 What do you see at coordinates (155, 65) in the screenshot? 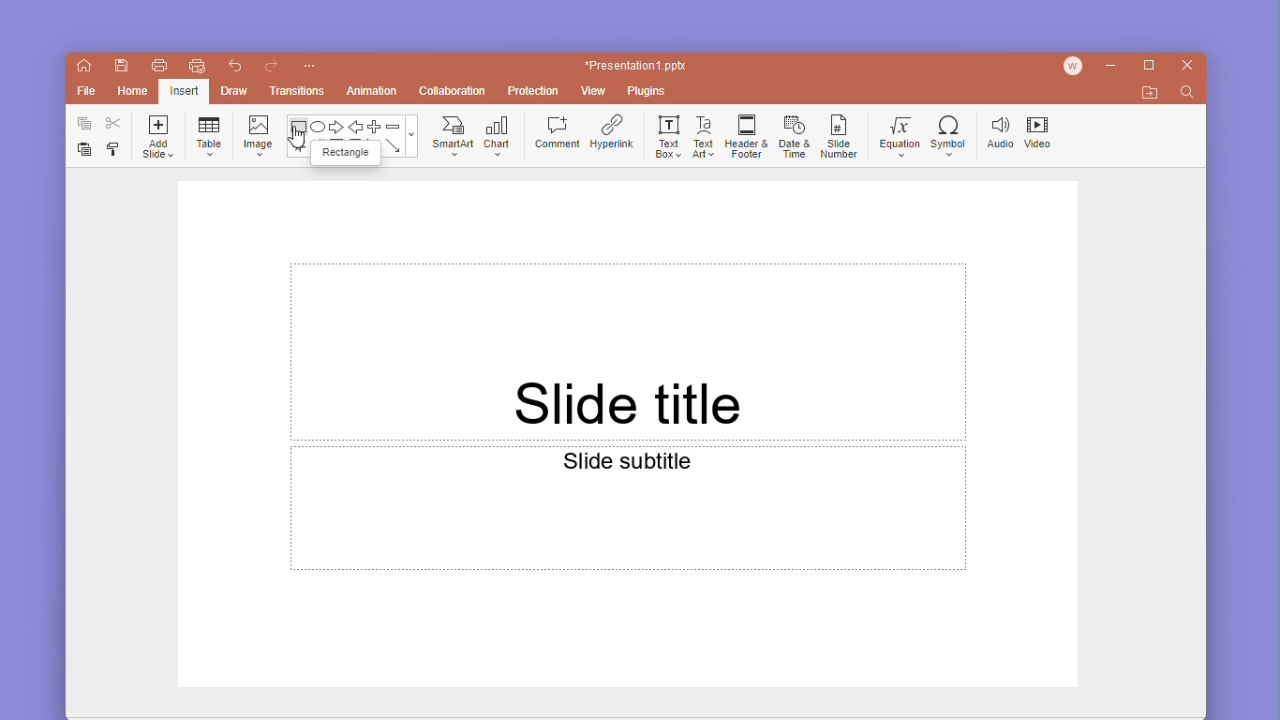
I see `print file` at bounding box center [155, 65].